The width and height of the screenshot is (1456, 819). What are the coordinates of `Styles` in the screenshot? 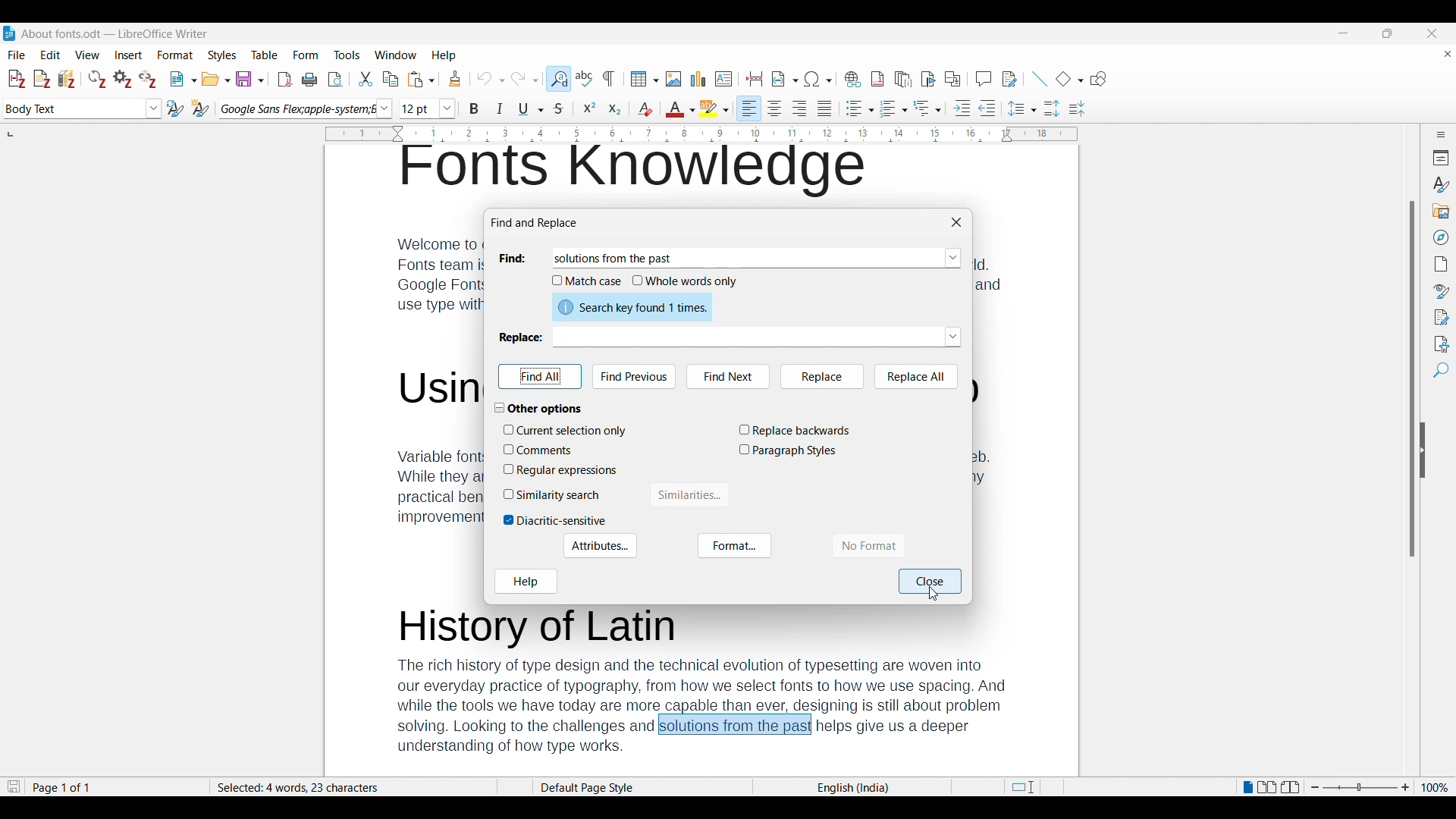 It's located at (1439, 184).